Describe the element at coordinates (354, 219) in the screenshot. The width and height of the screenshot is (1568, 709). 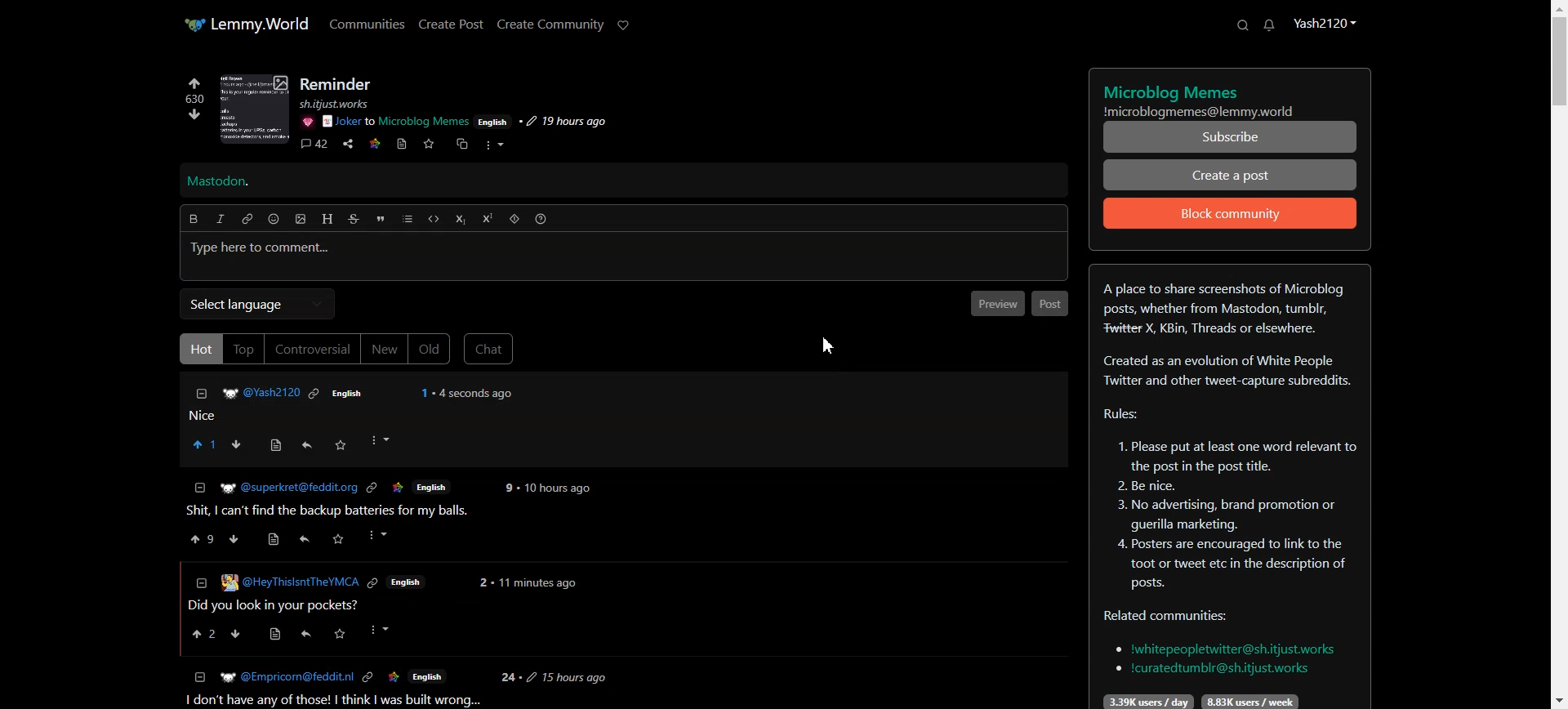
I see `Strikethrough` at that location.